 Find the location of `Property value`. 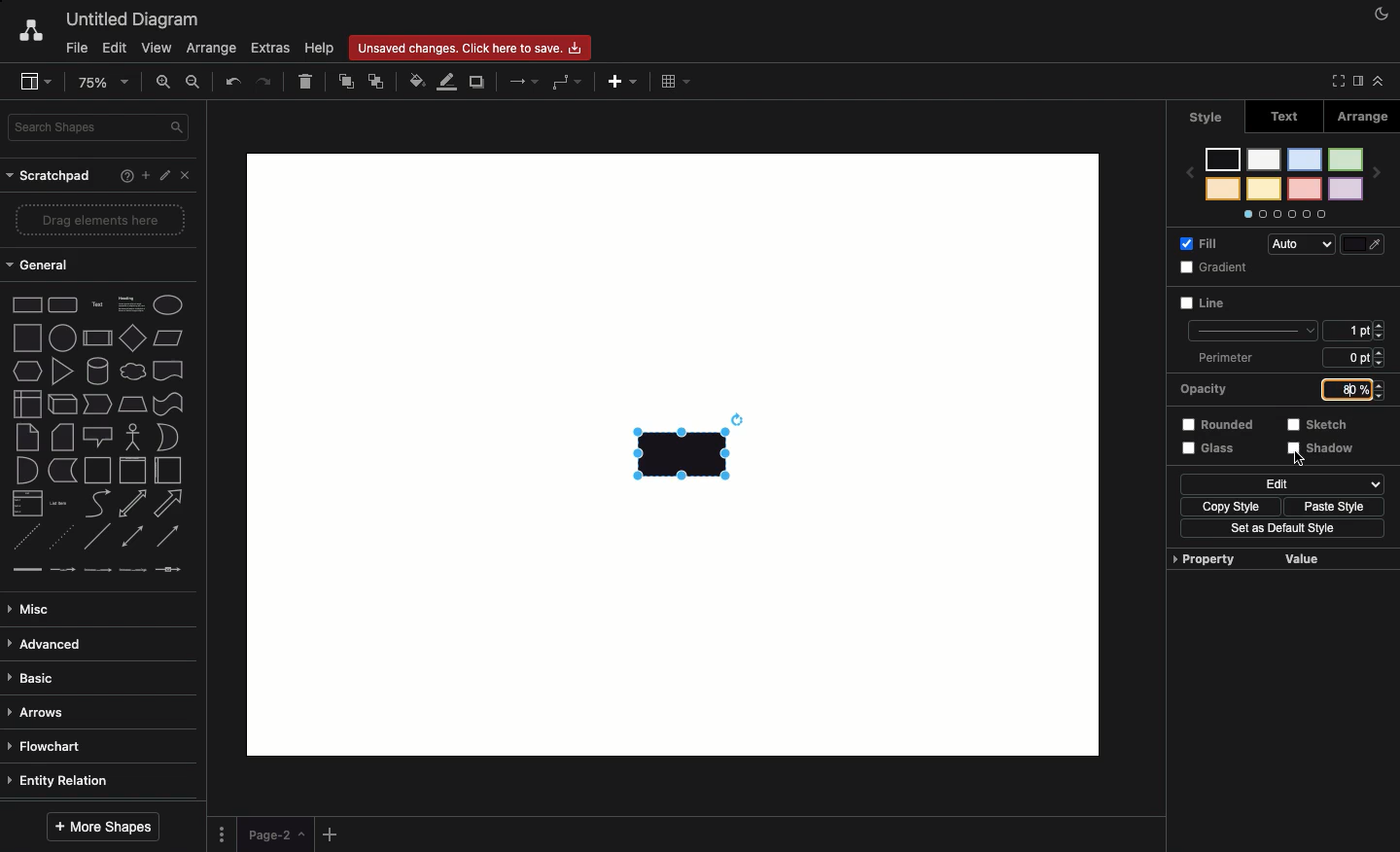

Property value is located at coordinates (1248, 559).